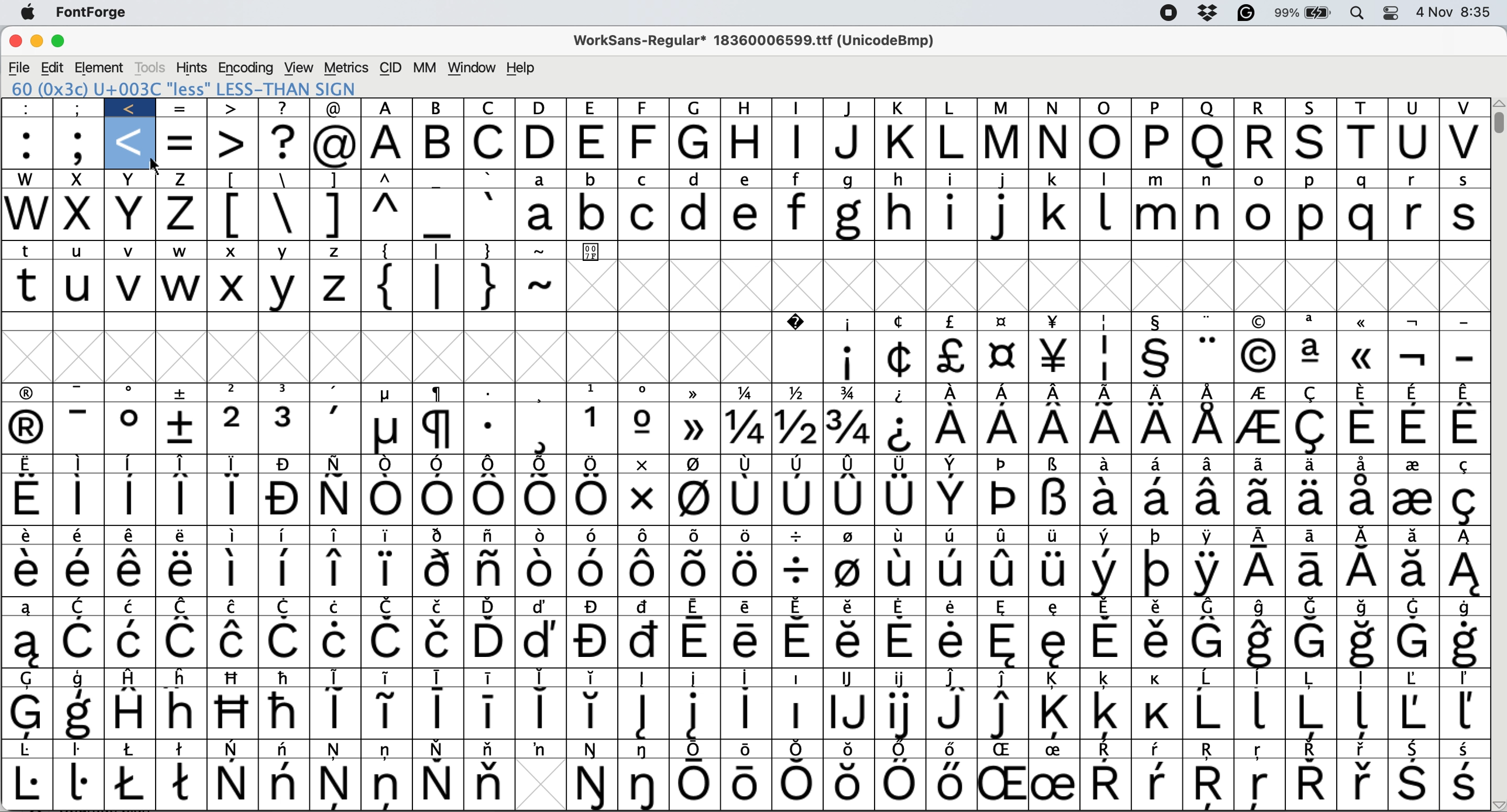 This screenshot has width=1507, height=812. Describe the element at coordinates (1057, 319) in the screenshot. I see `Symbol` at that location.